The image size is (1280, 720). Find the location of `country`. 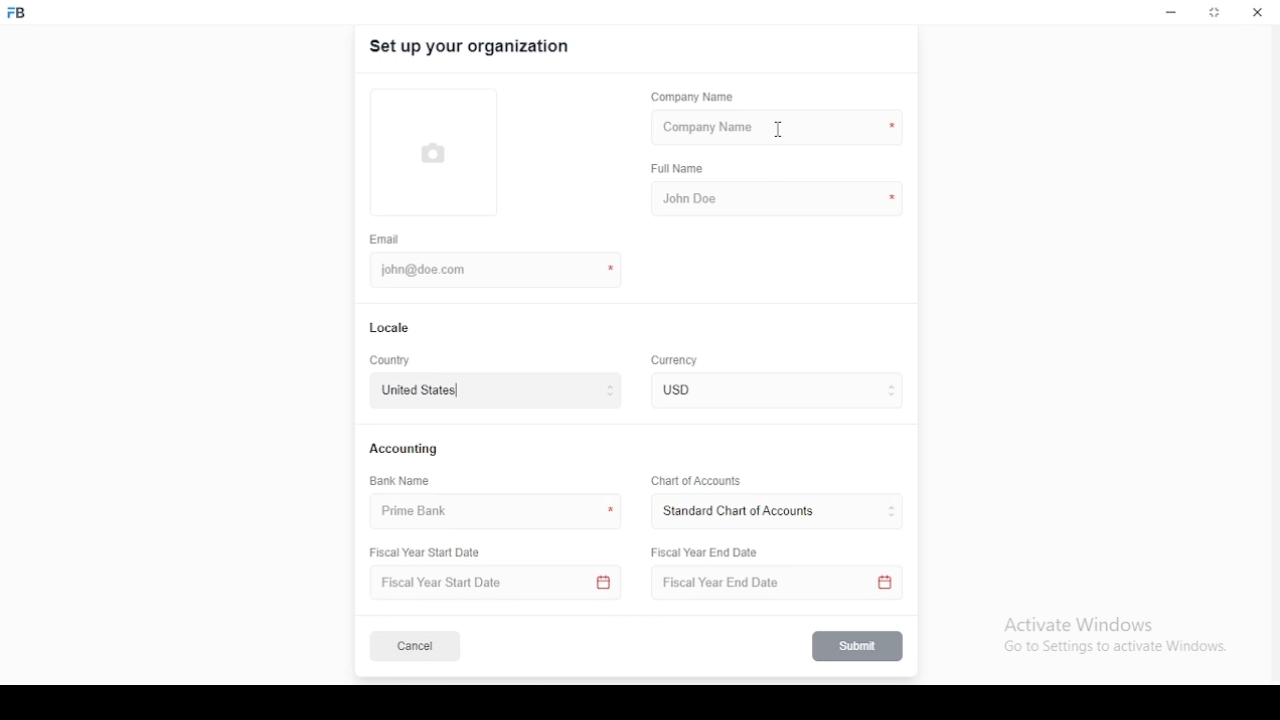

country is located at coordinates (392, 361).